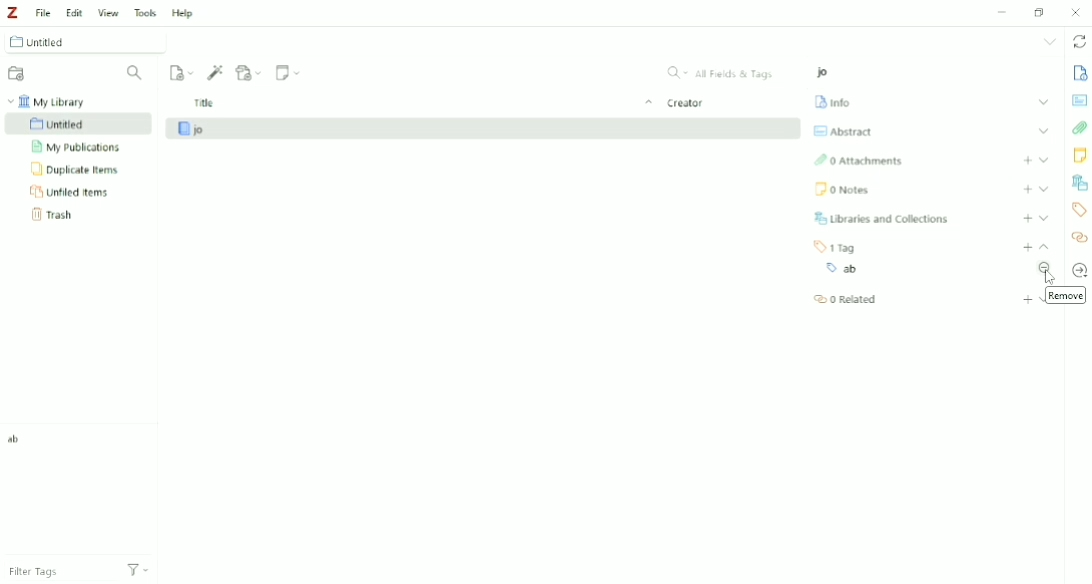 The height and width of the screenshot is (584, 1092). What do you see at coordinates (77, 170) in the screenshot?
I see `Duplicate Items` at bounding box center [77, 170].